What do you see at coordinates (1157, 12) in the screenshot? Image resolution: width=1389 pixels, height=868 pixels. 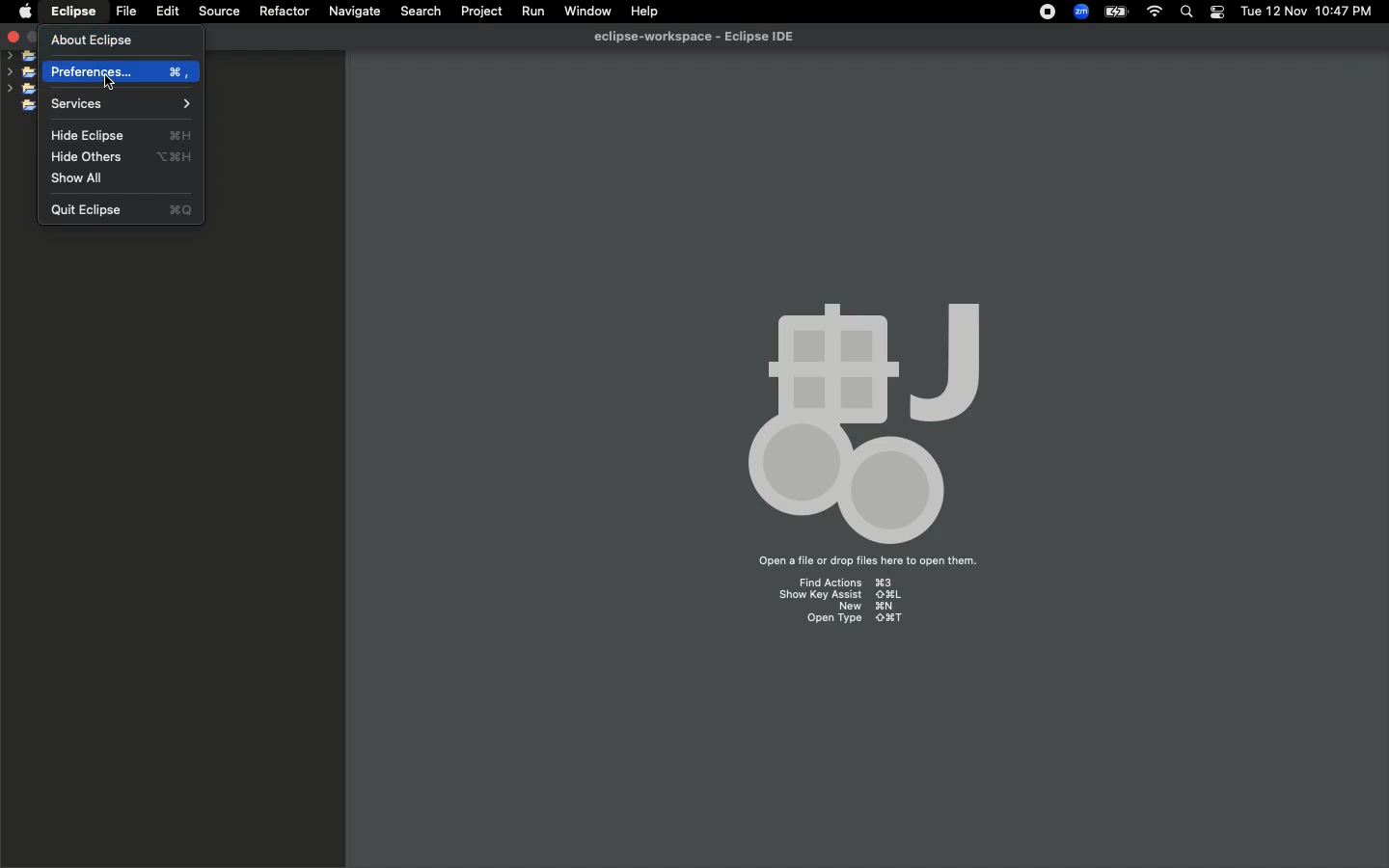 I see `Internet` at bounding box center [1157, 12].